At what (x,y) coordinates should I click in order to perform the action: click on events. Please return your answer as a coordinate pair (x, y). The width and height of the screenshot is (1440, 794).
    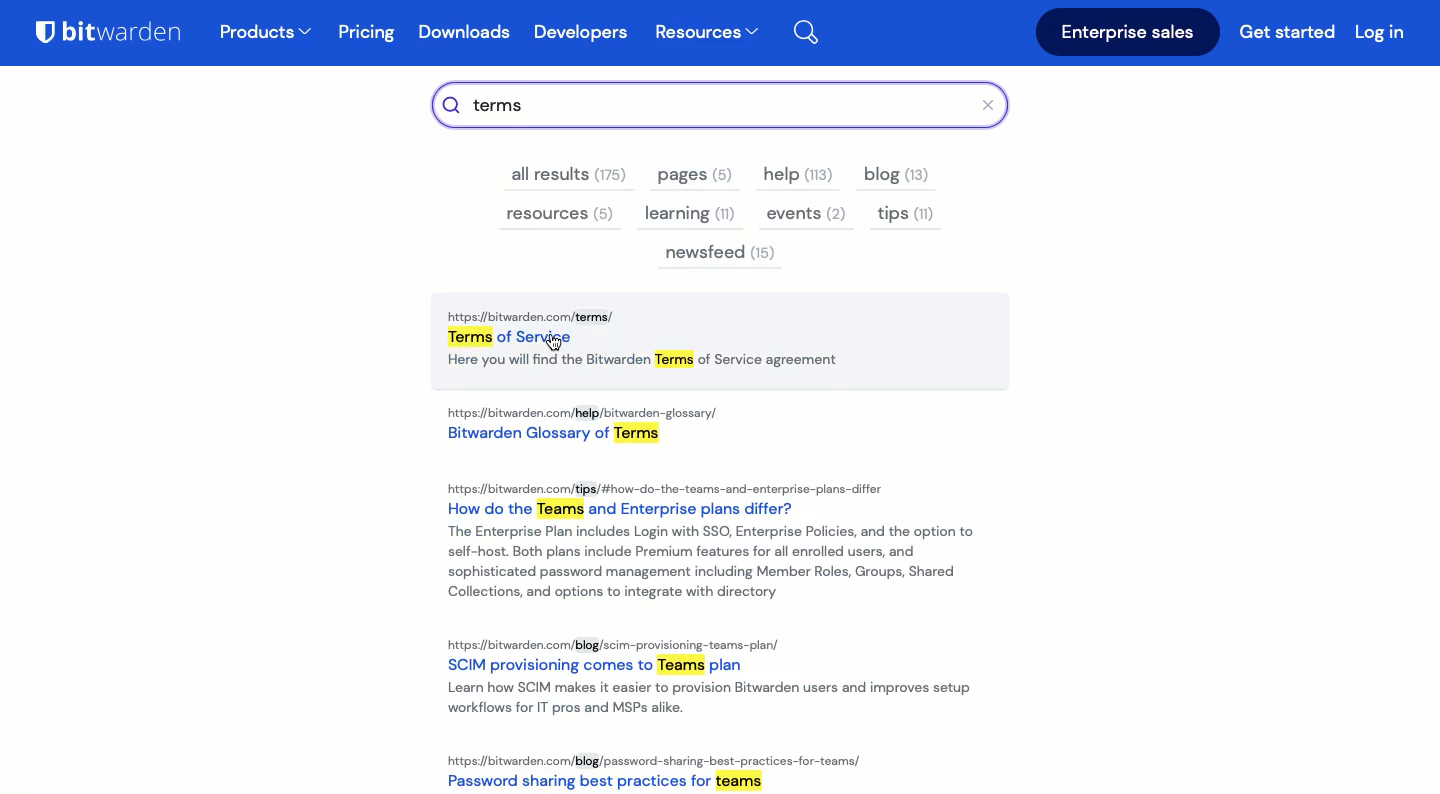
    Looking at the image, I should click on (804, 215).